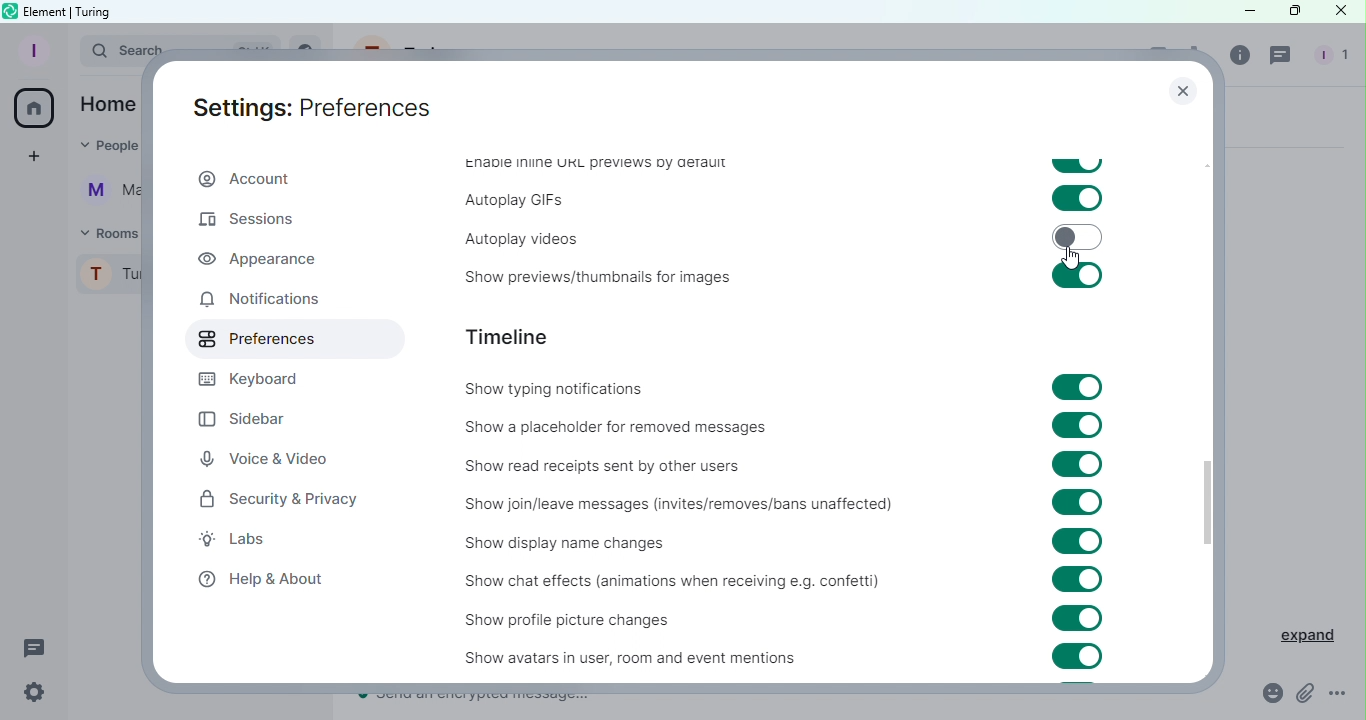  Describe the element at coordinates (104, 148) in the screenshot. I see `People` at that location.